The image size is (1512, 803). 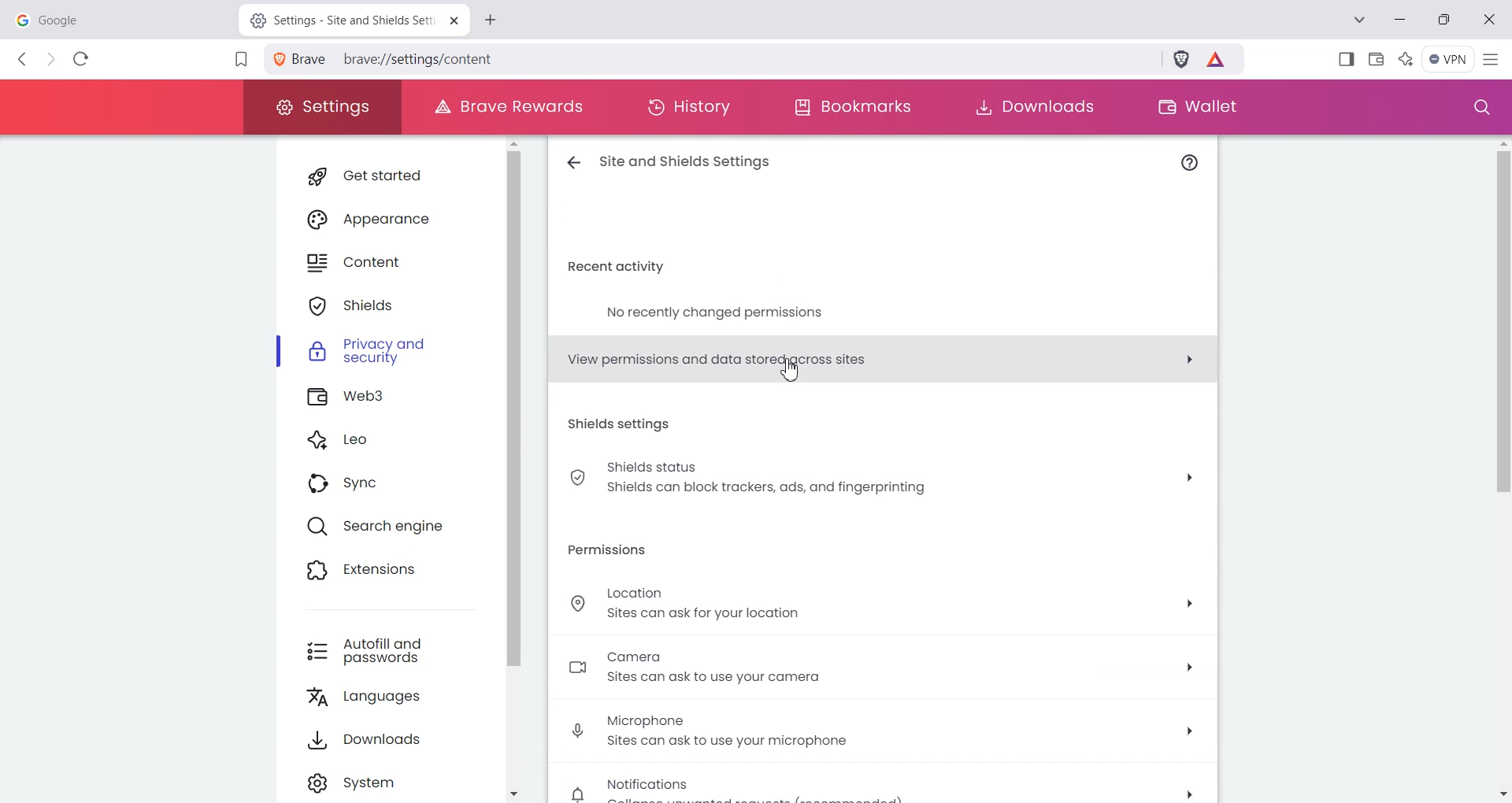 I want to click on Shields, so click(x=390, y=305).